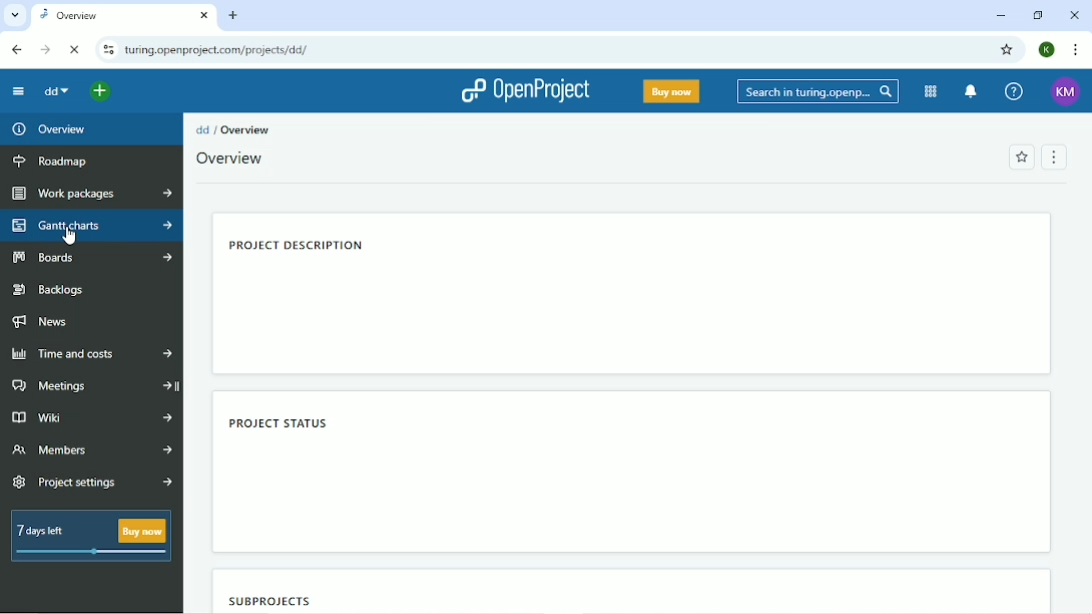 The width and height of the screenshot is (1092, 614). What do you see at coordinates (124, 16) in the screenshot?
I see `Current tab` at bounding box center [124, 16].